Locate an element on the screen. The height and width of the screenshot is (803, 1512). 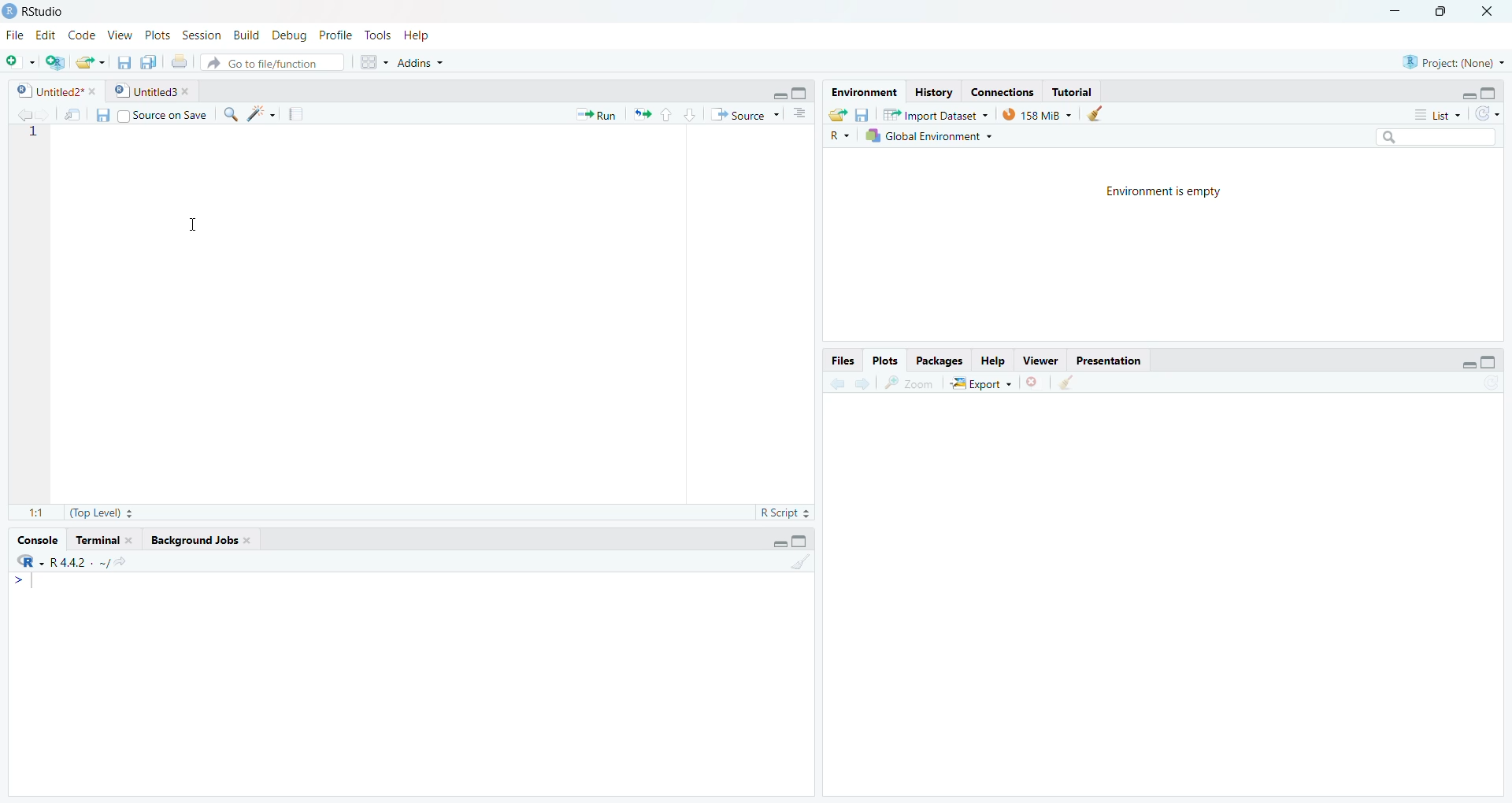
forward/backward is located at coordinates (25, 112).